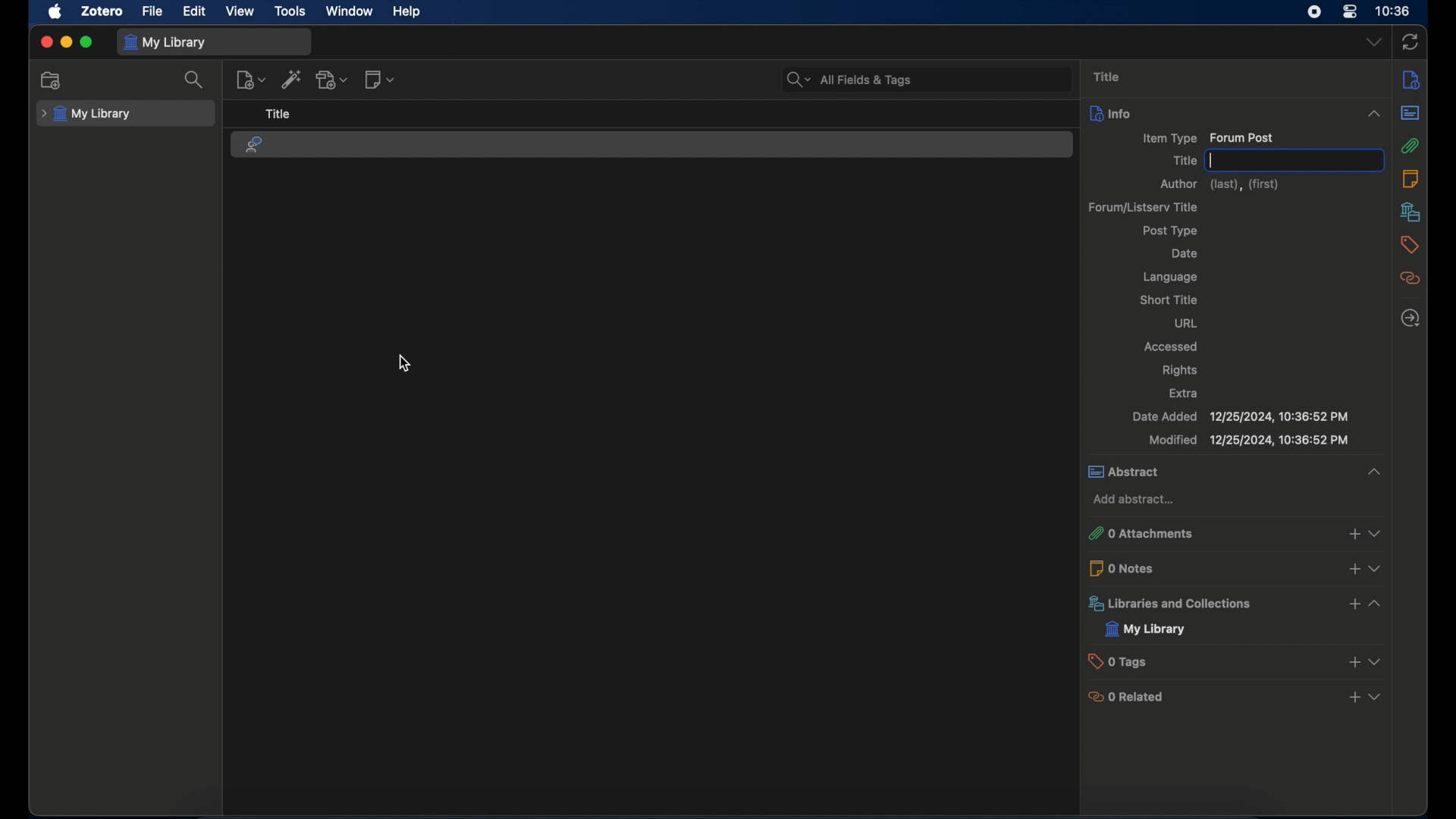  I want to click on add item by identifier, so click(292, 79).